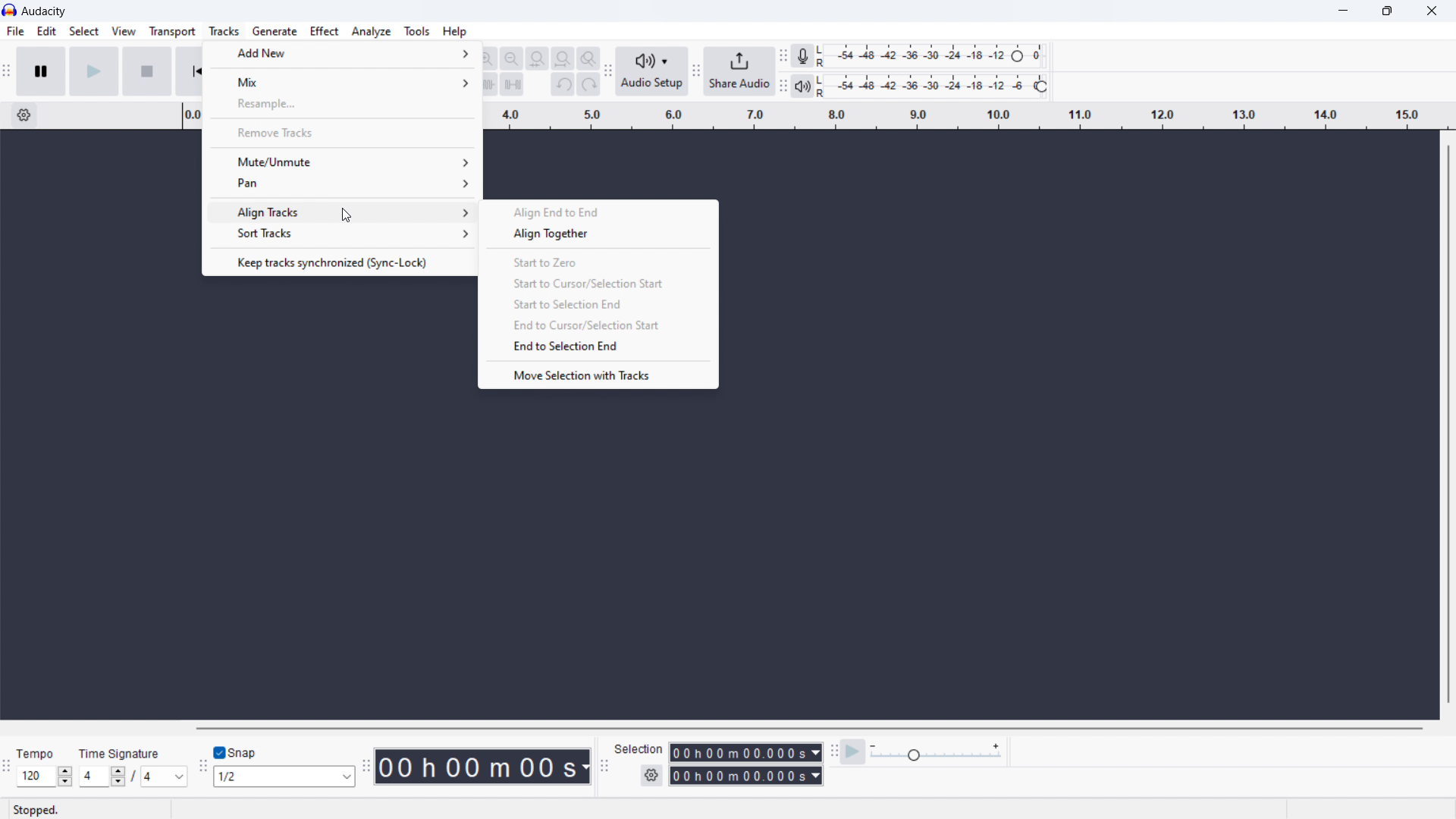  I want to click on snapping toolbar, so click(201, 764).